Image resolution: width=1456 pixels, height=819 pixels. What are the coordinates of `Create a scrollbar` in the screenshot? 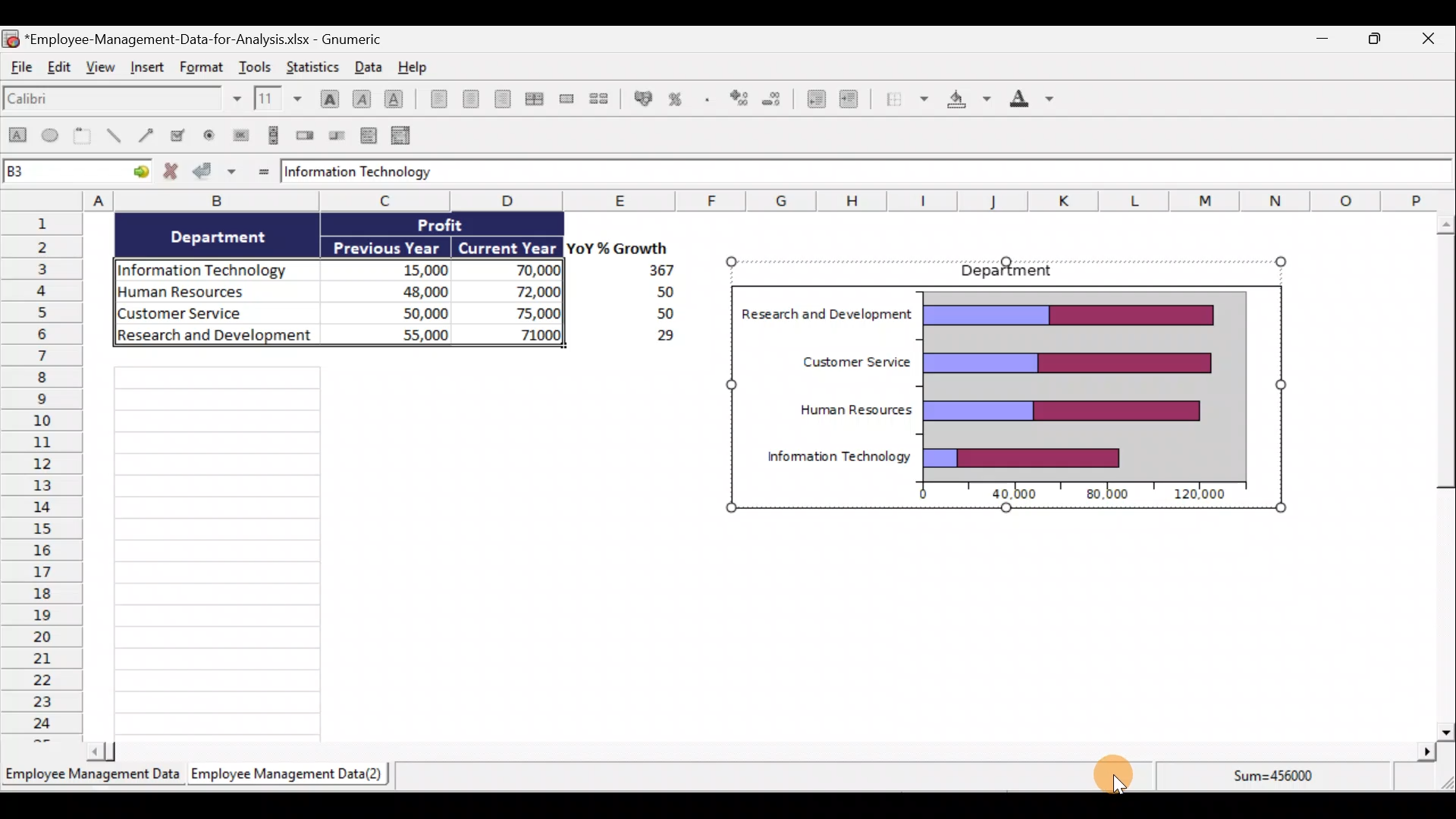 It's located at (275, 134).